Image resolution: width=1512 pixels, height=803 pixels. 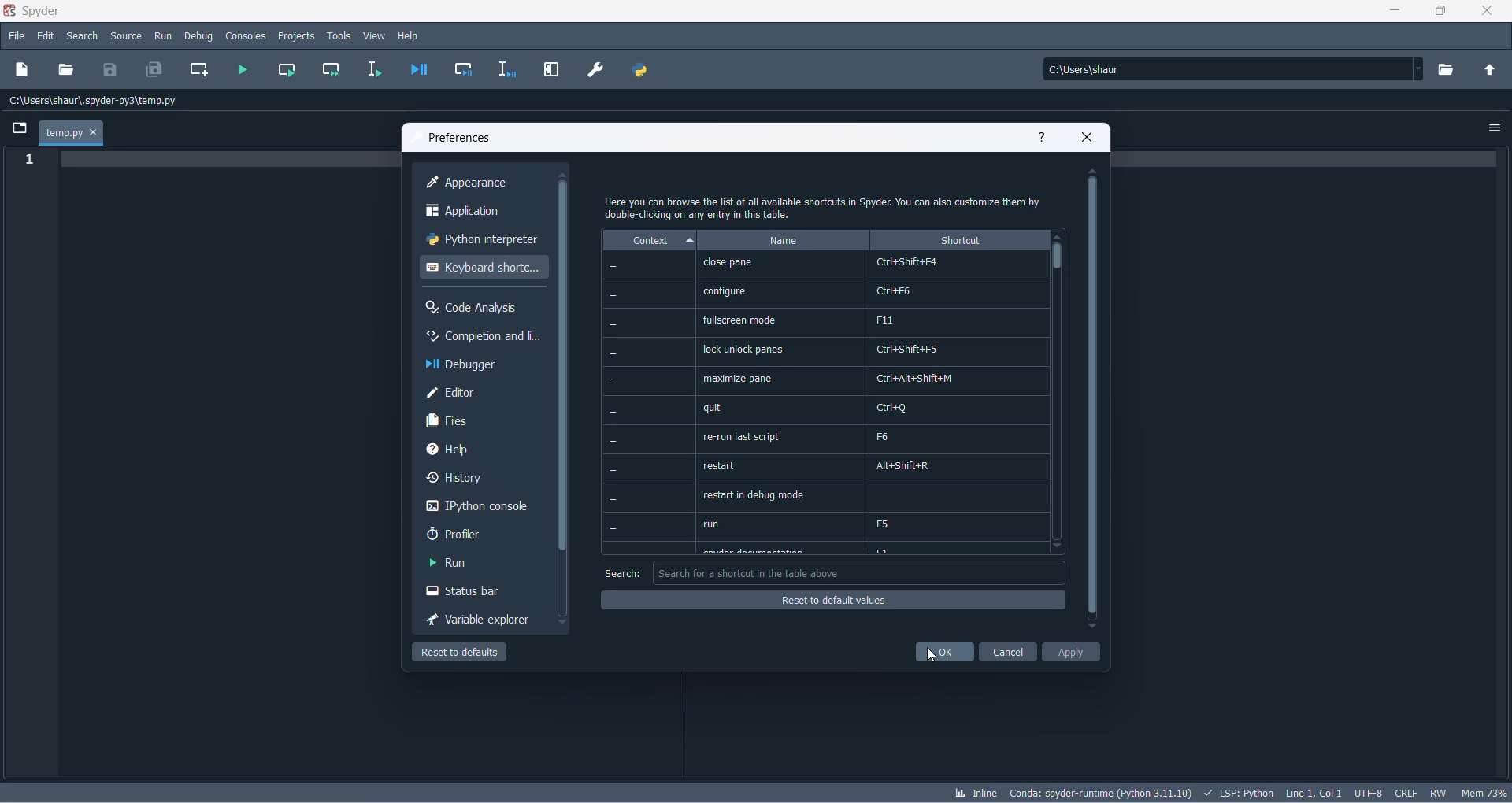 What do you see at coordinates (201, 71) in the screenshot?
I see `create new cell` at bounding box center [201, 71].